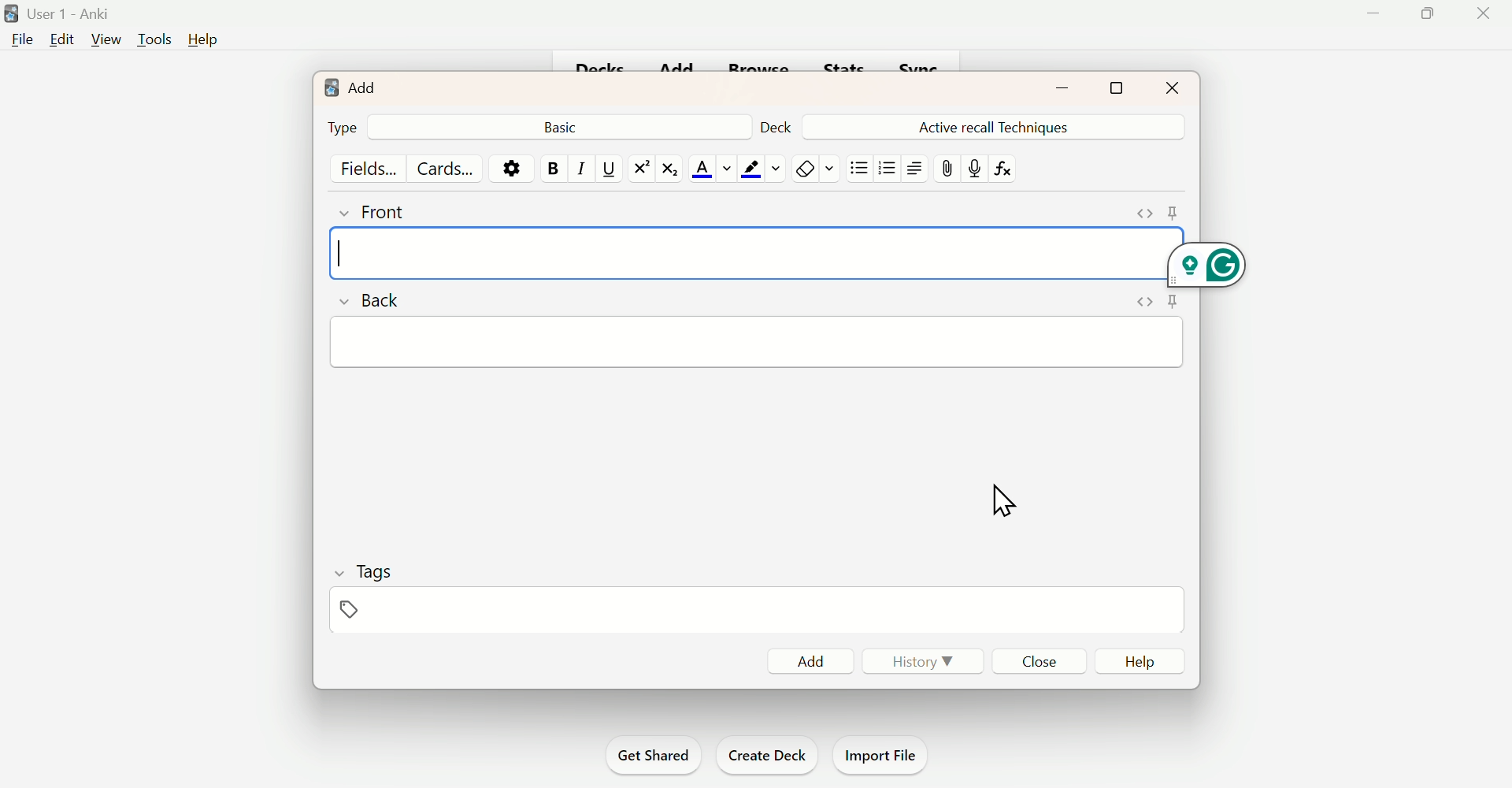 The image size is (1512, 788). I want to click on logo, so click(328, 85).